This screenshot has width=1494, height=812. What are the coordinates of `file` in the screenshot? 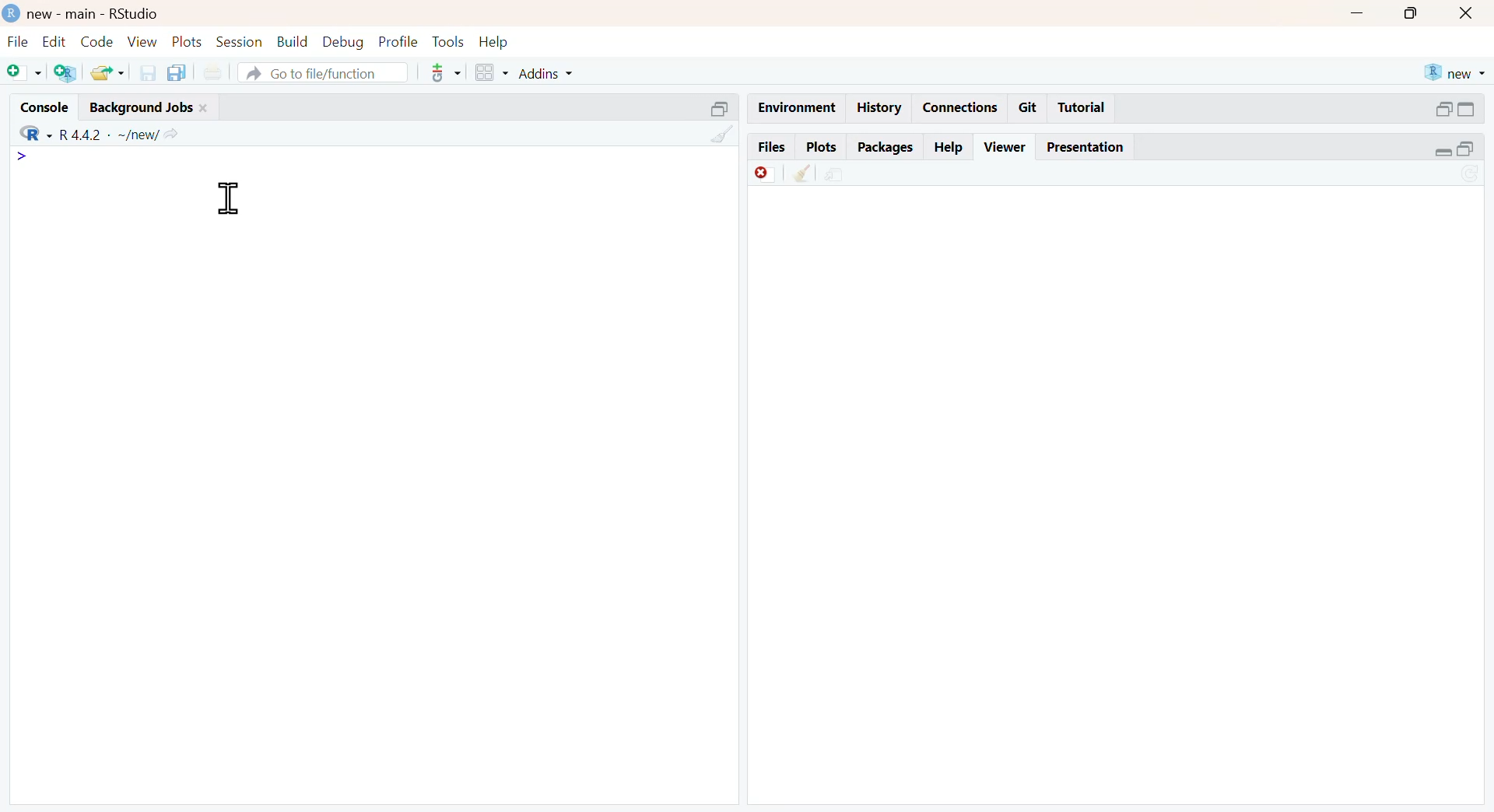 It's located at (18, 41).